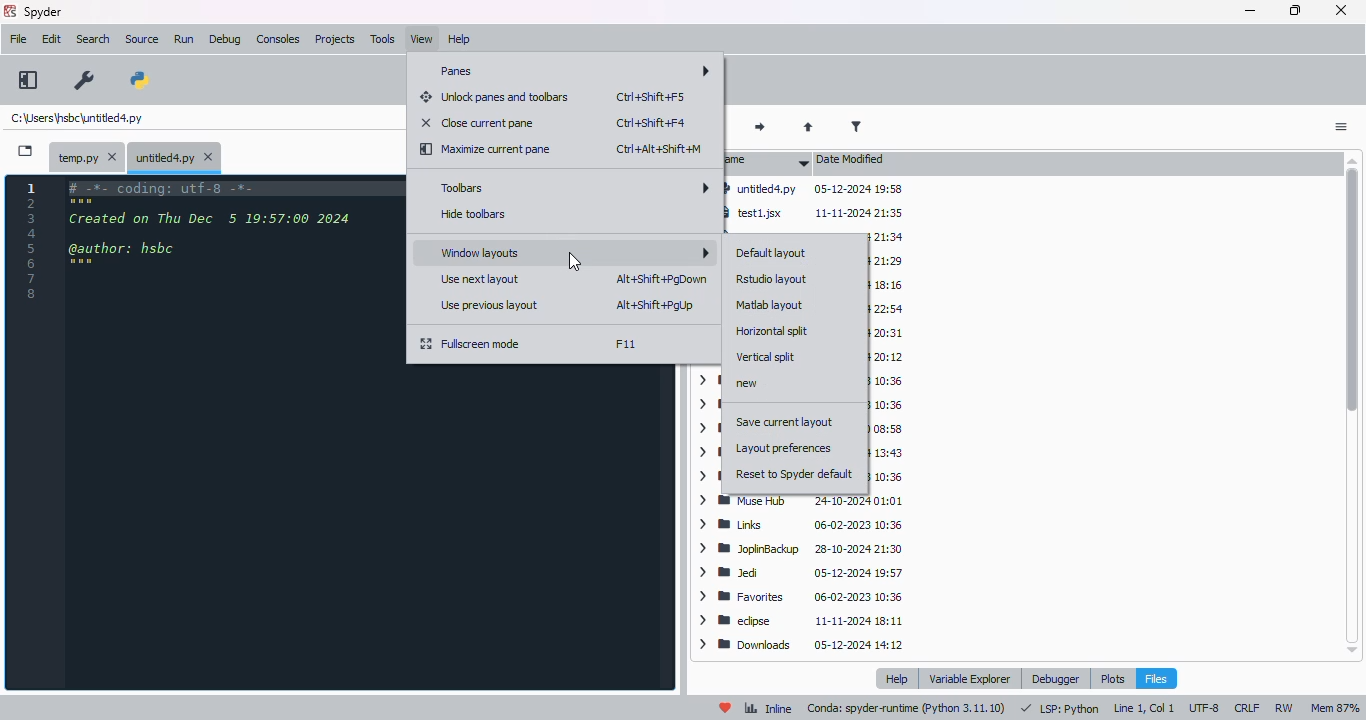  I want to click on variable explorer, so click(971, 678).